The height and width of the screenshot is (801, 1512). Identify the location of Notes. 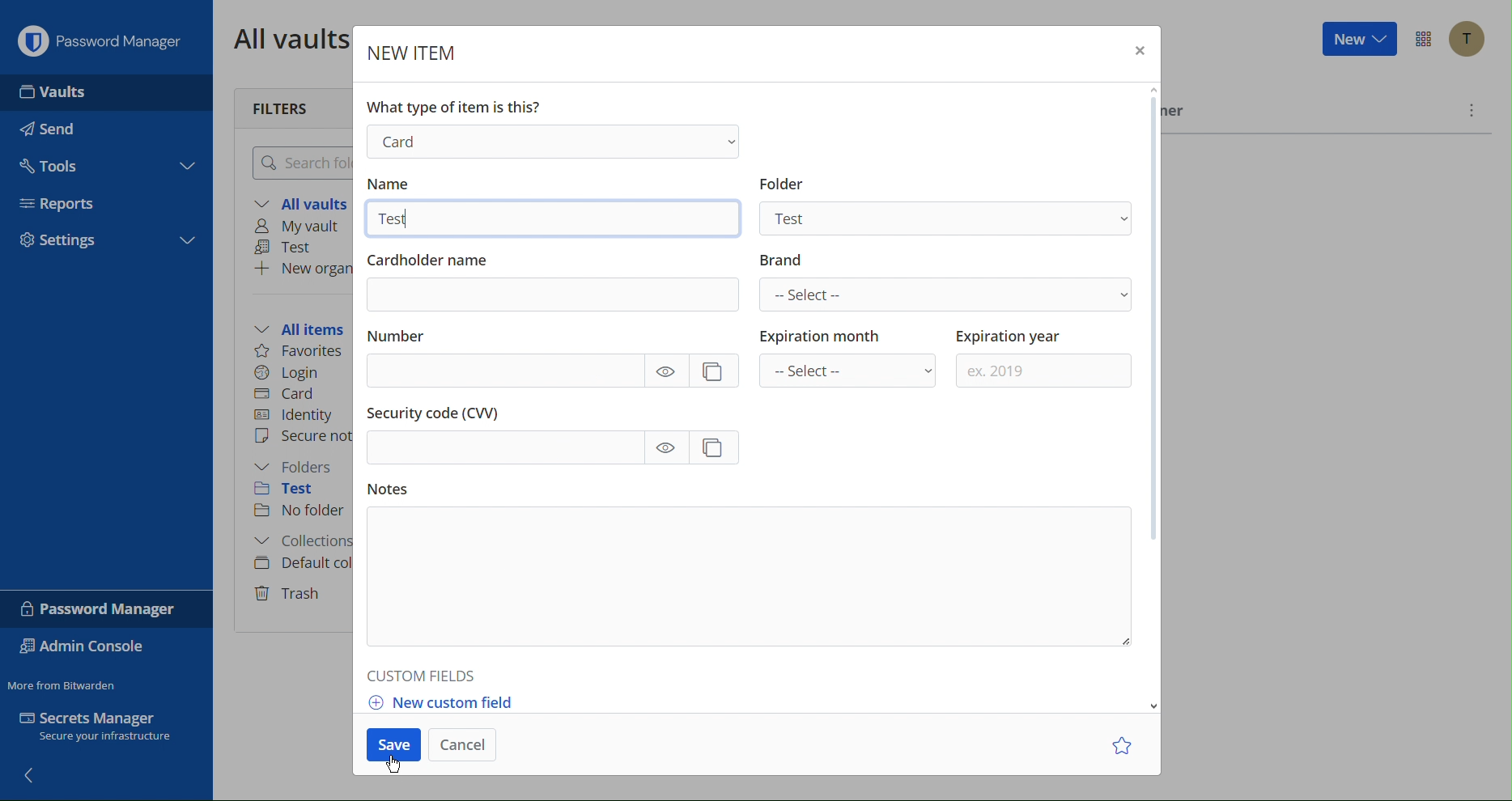
(746, 581).